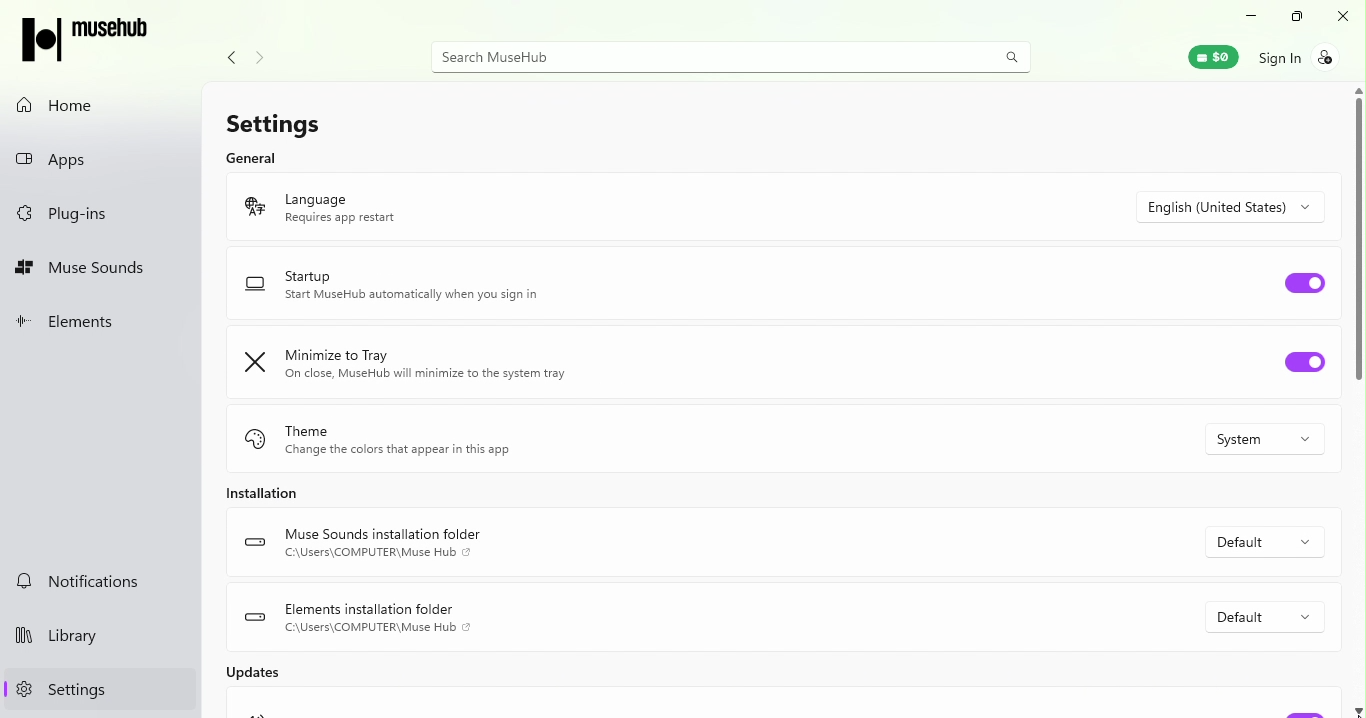 The height and width of the screenshot is (718, 1366). I want to click on Apps, so click(88, 164).